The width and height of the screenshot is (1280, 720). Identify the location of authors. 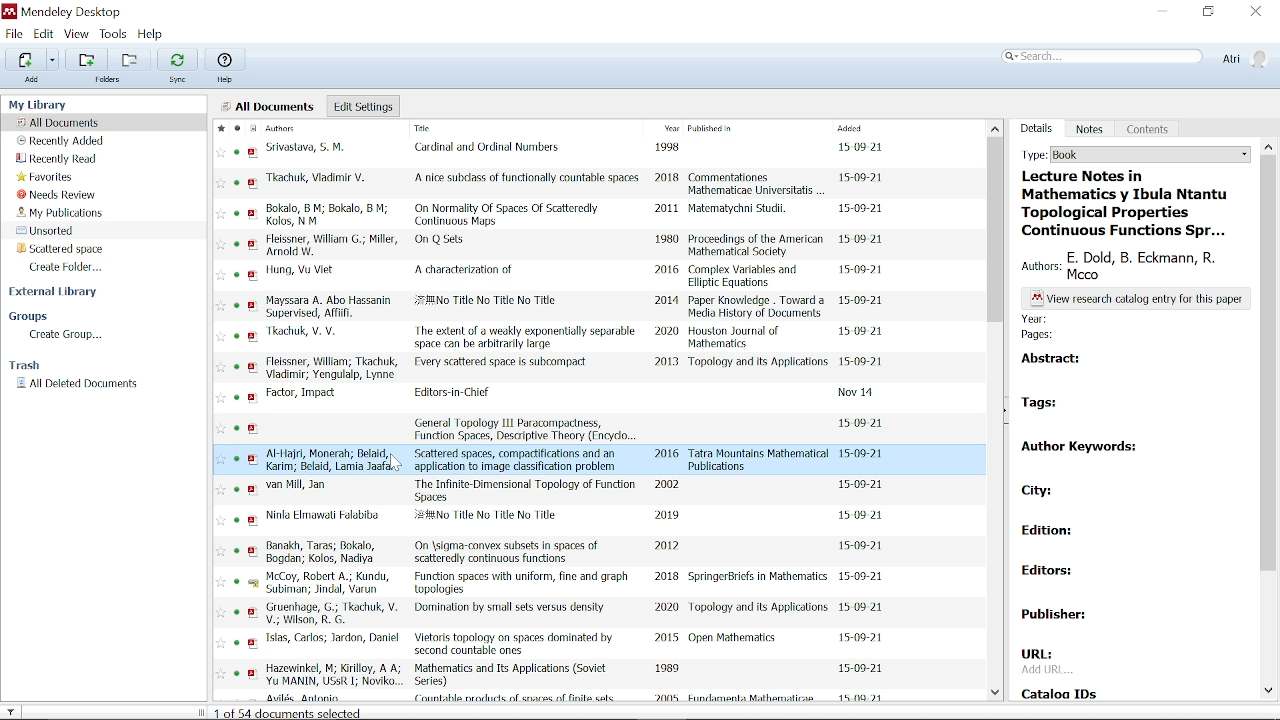
(330, 307).